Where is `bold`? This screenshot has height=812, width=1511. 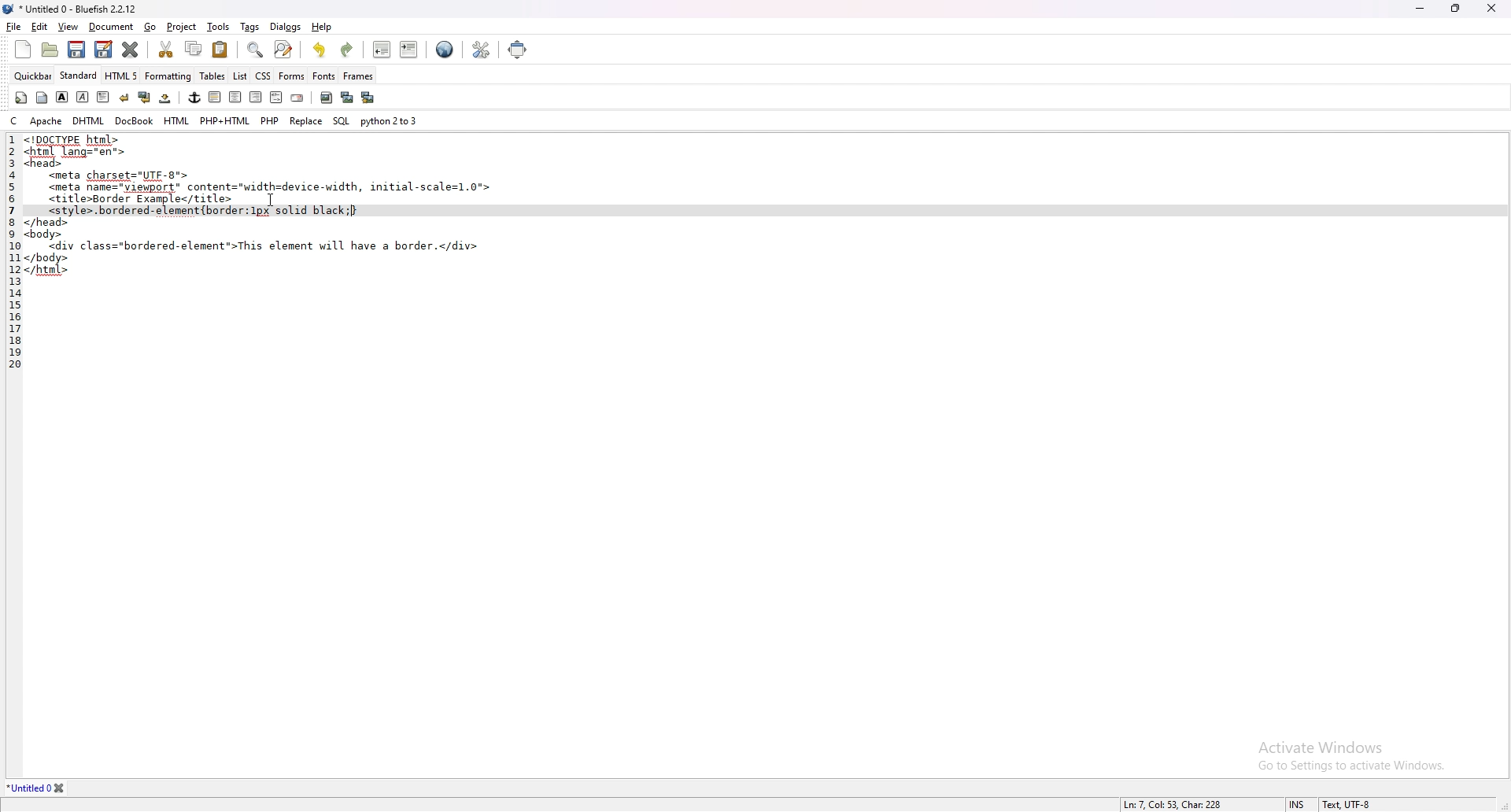
bold is located at coordinates (61, 98).